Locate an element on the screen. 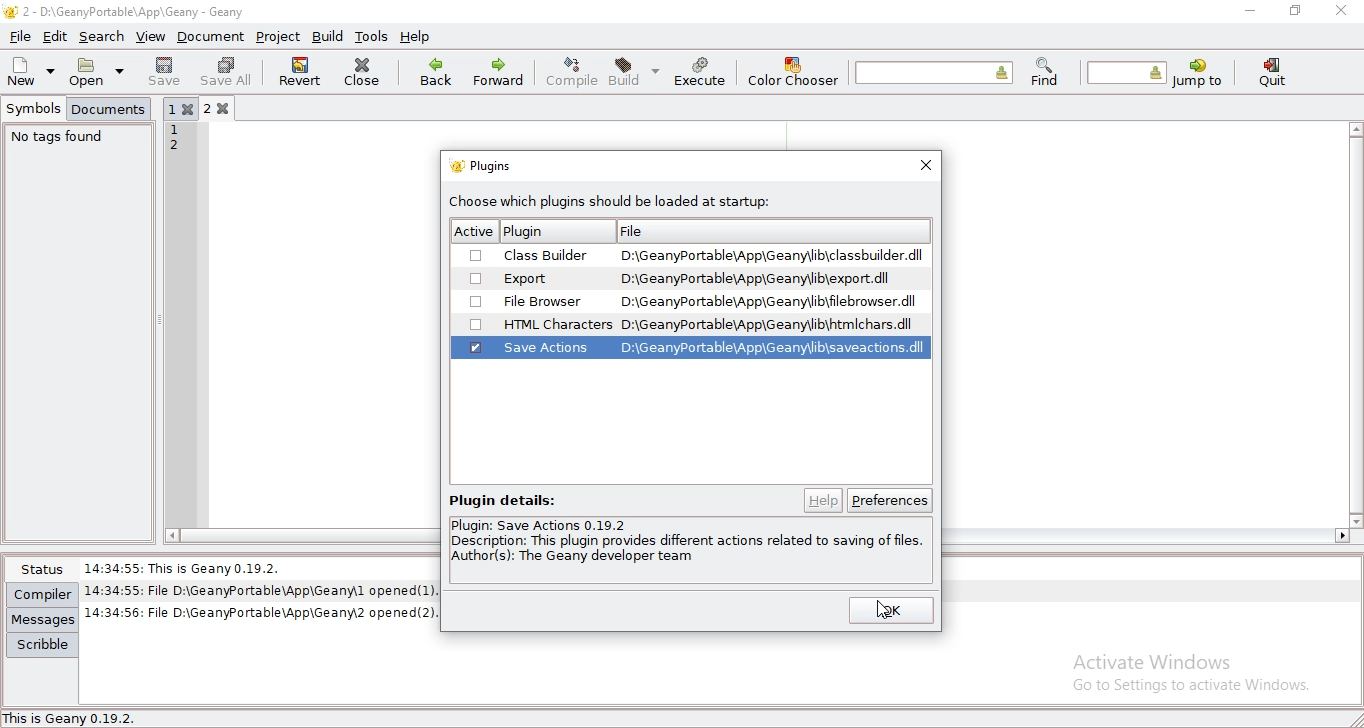 Image resolution: width=1364 pixels, height=728 pixels. symbols is located at coordinates (35, 108).